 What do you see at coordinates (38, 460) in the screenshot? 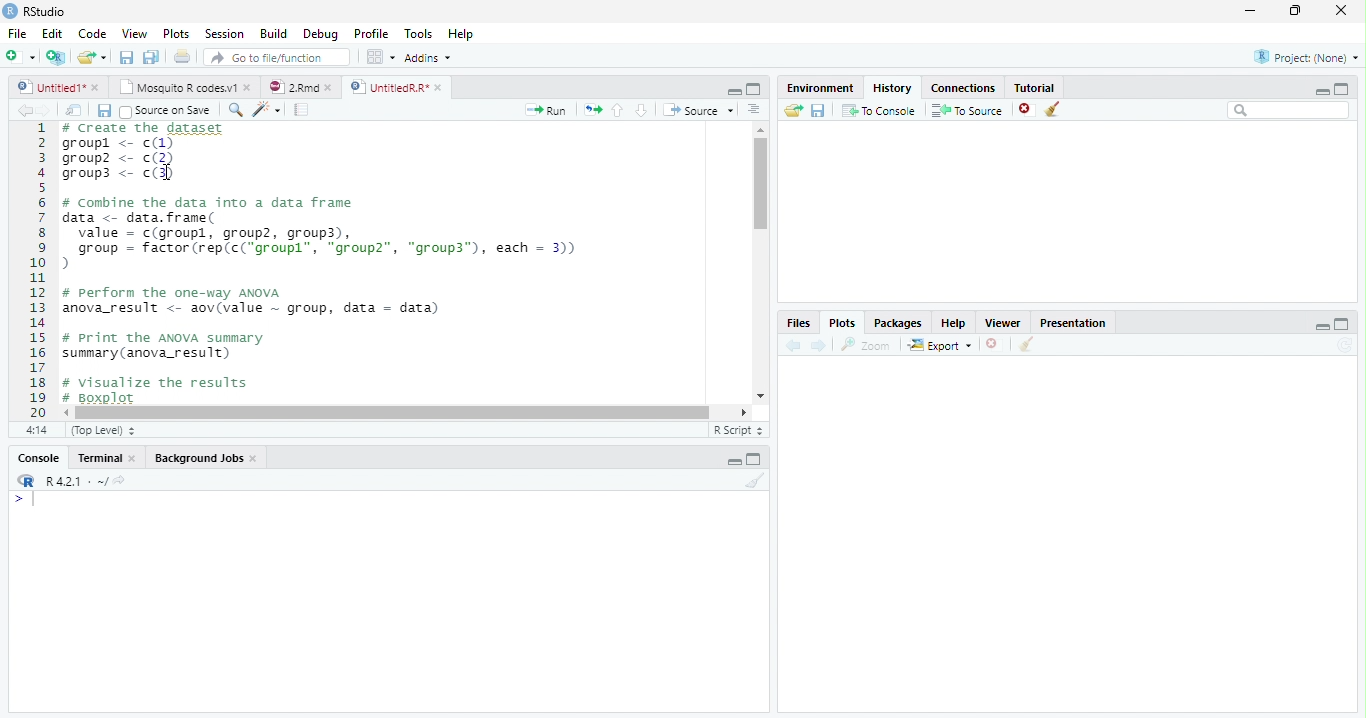
I see `Console` at bounding box center [38, 460].